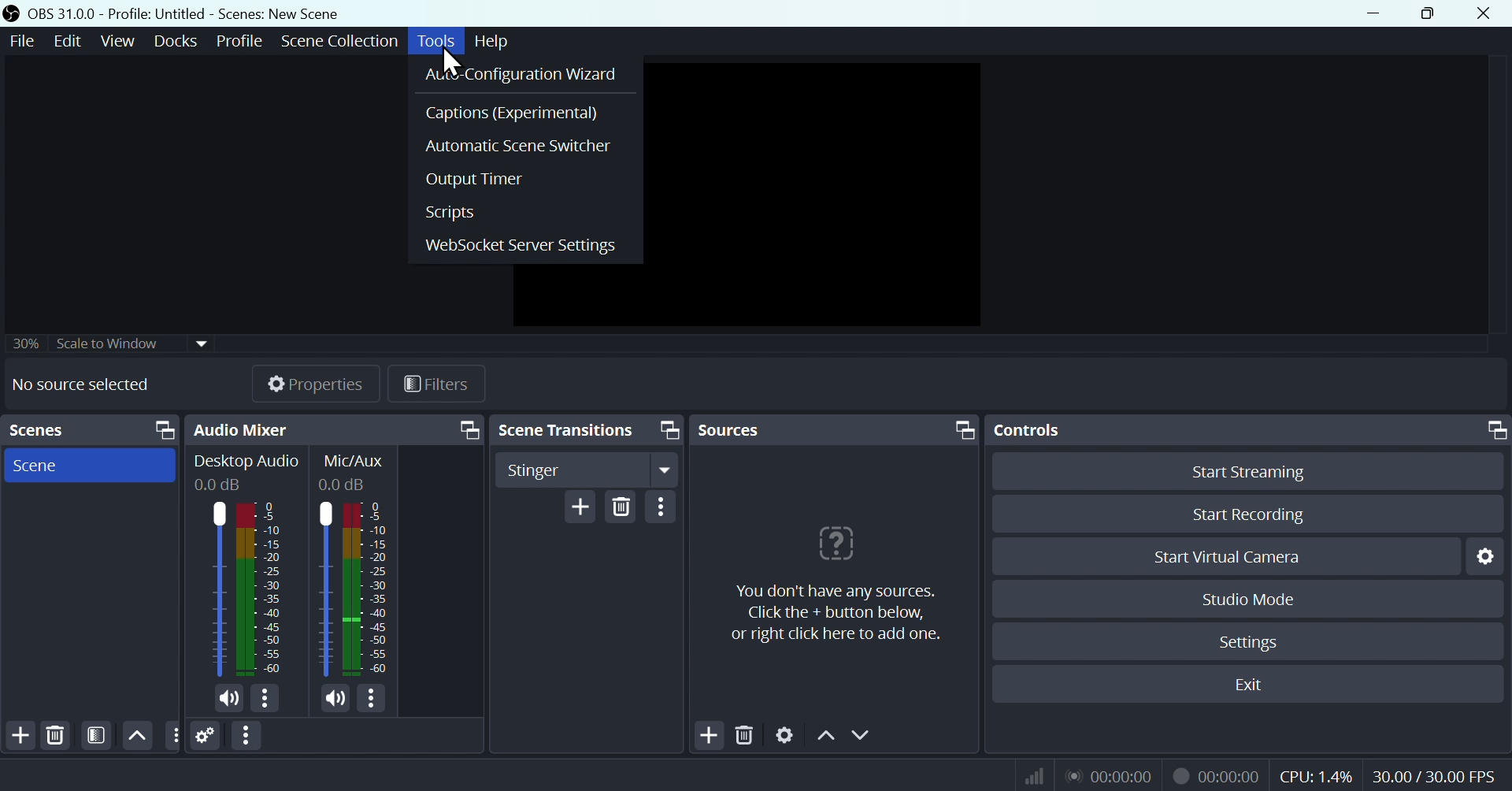 The height and width of the screenshot is (791, 1512). What do you see at coordinates (1250, 598) in the screenshot?
I see `Studio Mode` at bounding box center [1250, 598].